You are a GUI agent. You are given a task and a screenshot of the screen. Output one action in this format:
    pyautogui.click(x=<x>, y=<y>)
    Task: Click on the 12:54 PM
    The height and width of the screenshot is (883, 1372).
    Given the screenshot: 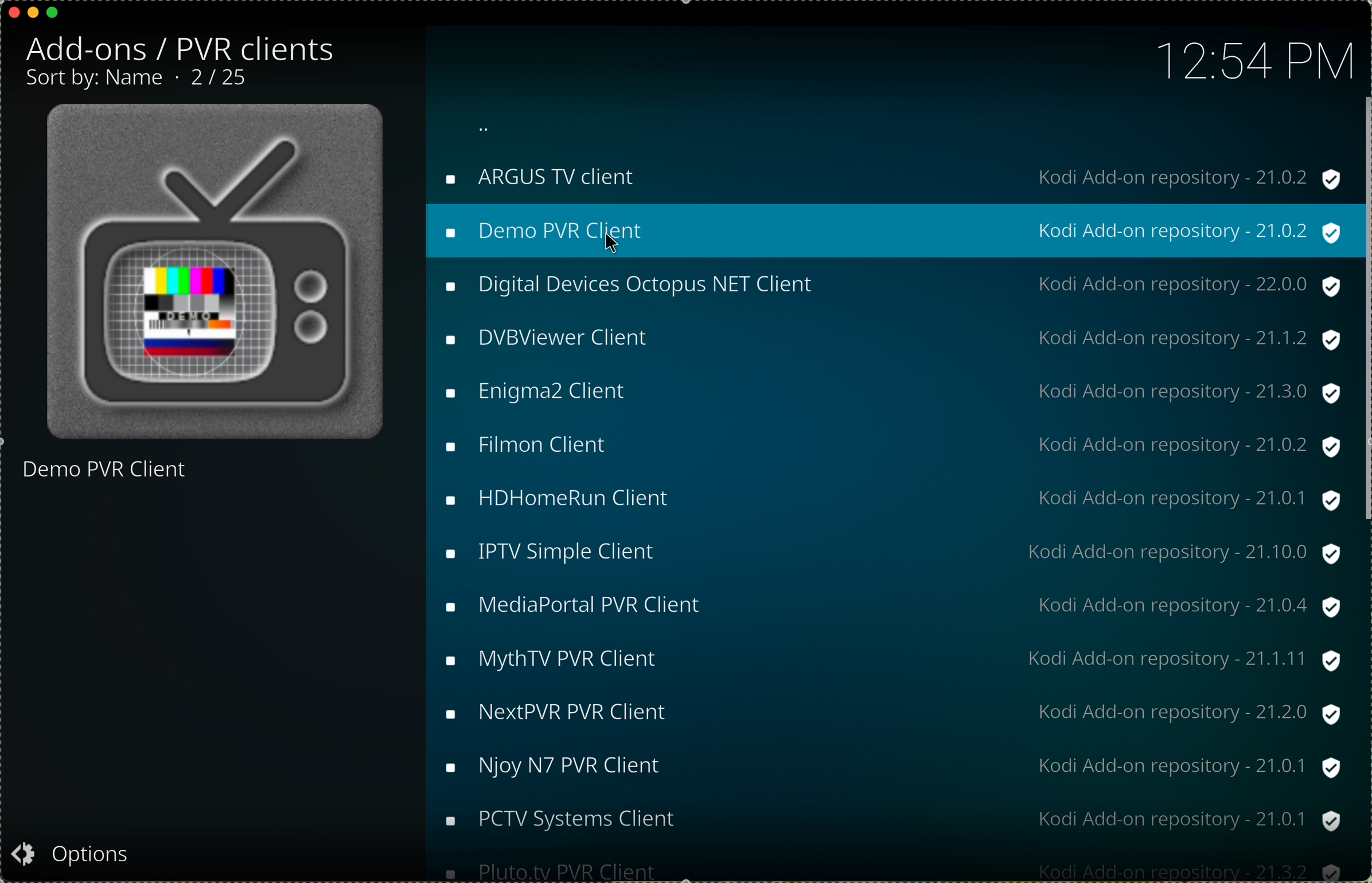 What is the action you would take?
    pyautogui.click(x=1253, y=58)
    